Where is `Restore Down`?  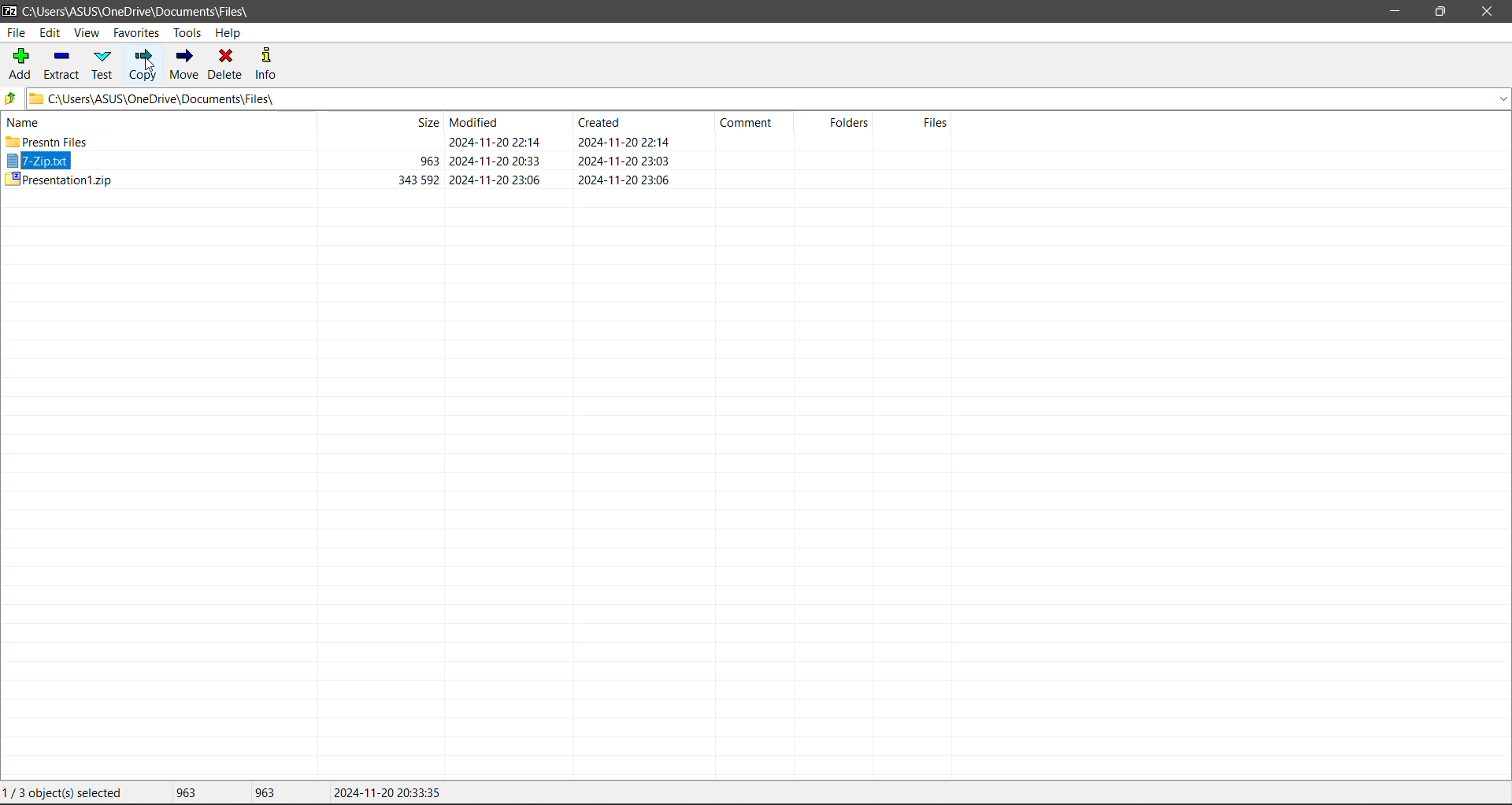 Restore Down is located at coordinates (1442, 12).